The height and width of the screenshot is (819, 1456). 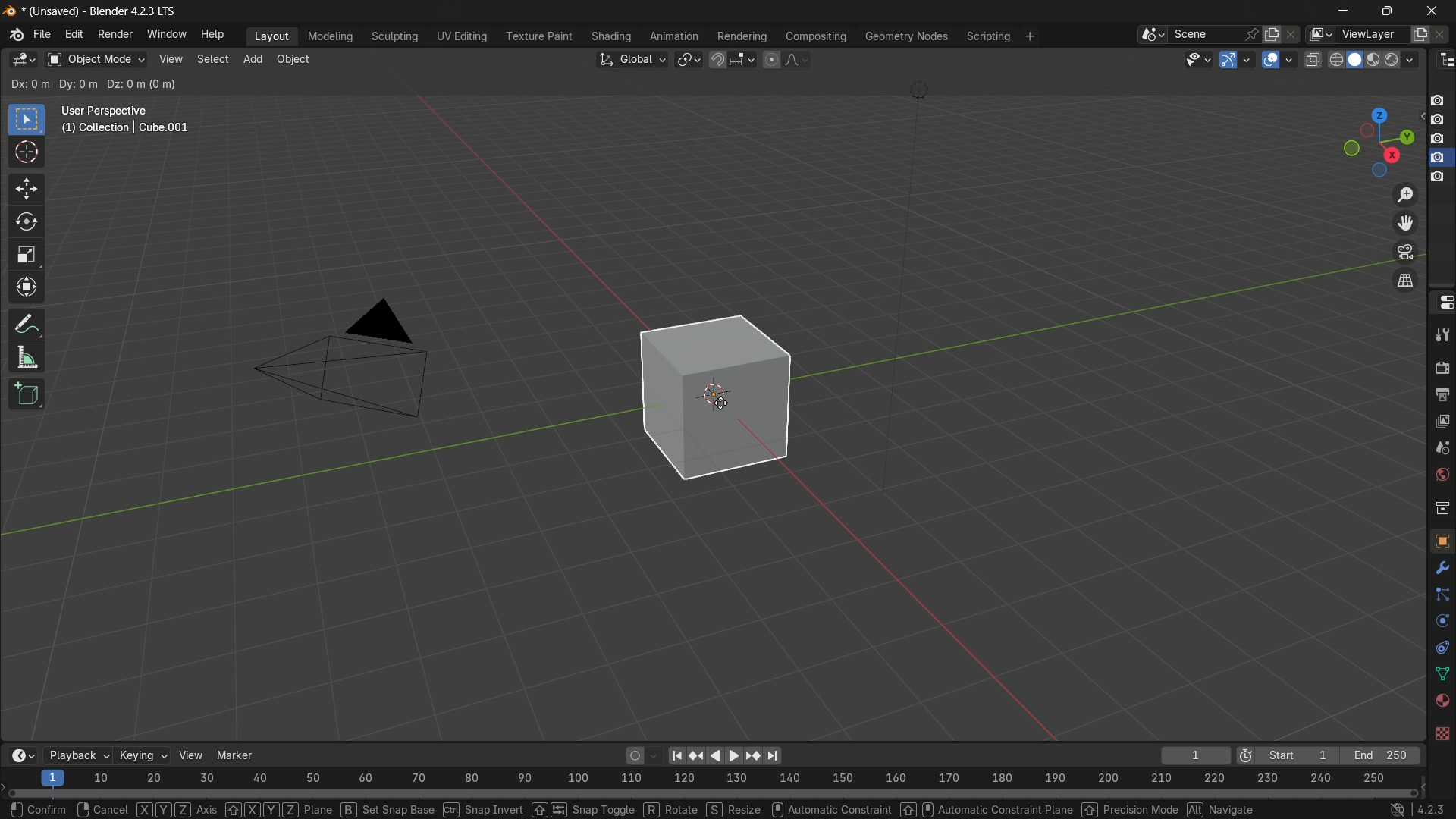 What do you see at coordinates (117, 33) in the screenshot?
I see `render menu` at bounding box center [117, 33].